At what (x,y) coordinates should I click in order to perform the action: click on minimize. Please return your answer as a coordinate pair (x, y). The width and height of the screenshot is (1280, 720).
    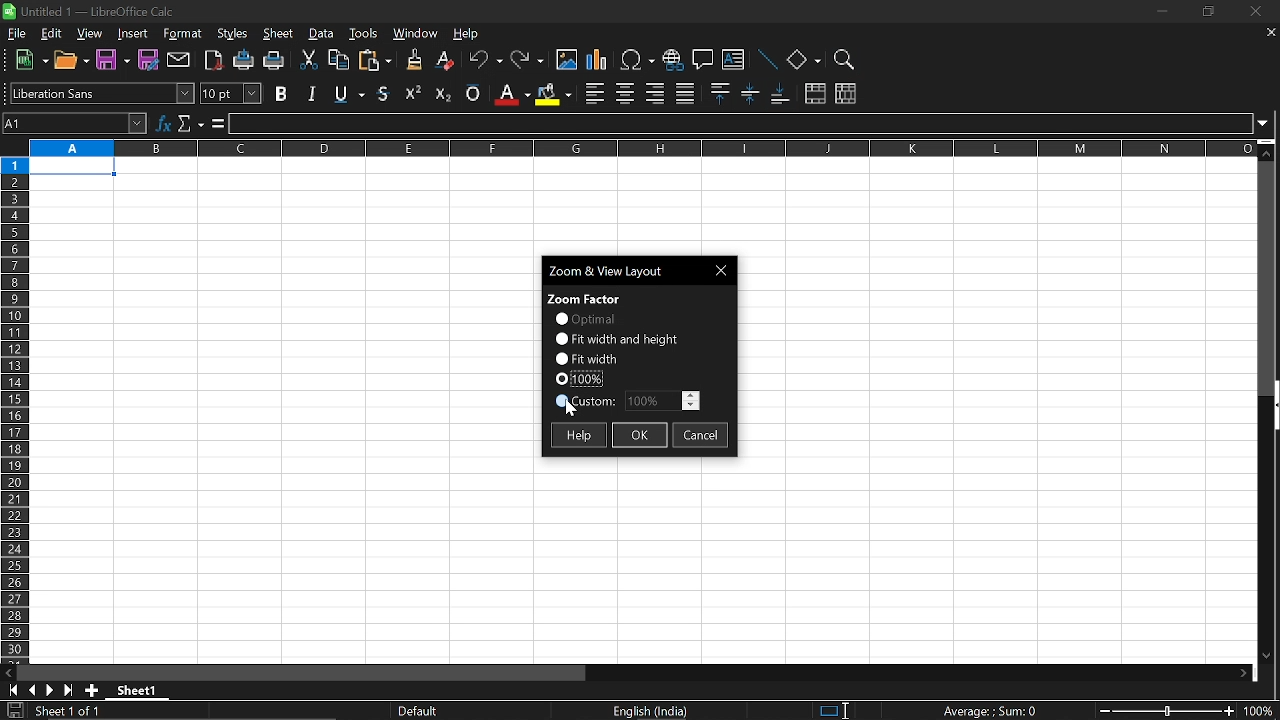
    Looking at the image, I should click on (1160, 11).